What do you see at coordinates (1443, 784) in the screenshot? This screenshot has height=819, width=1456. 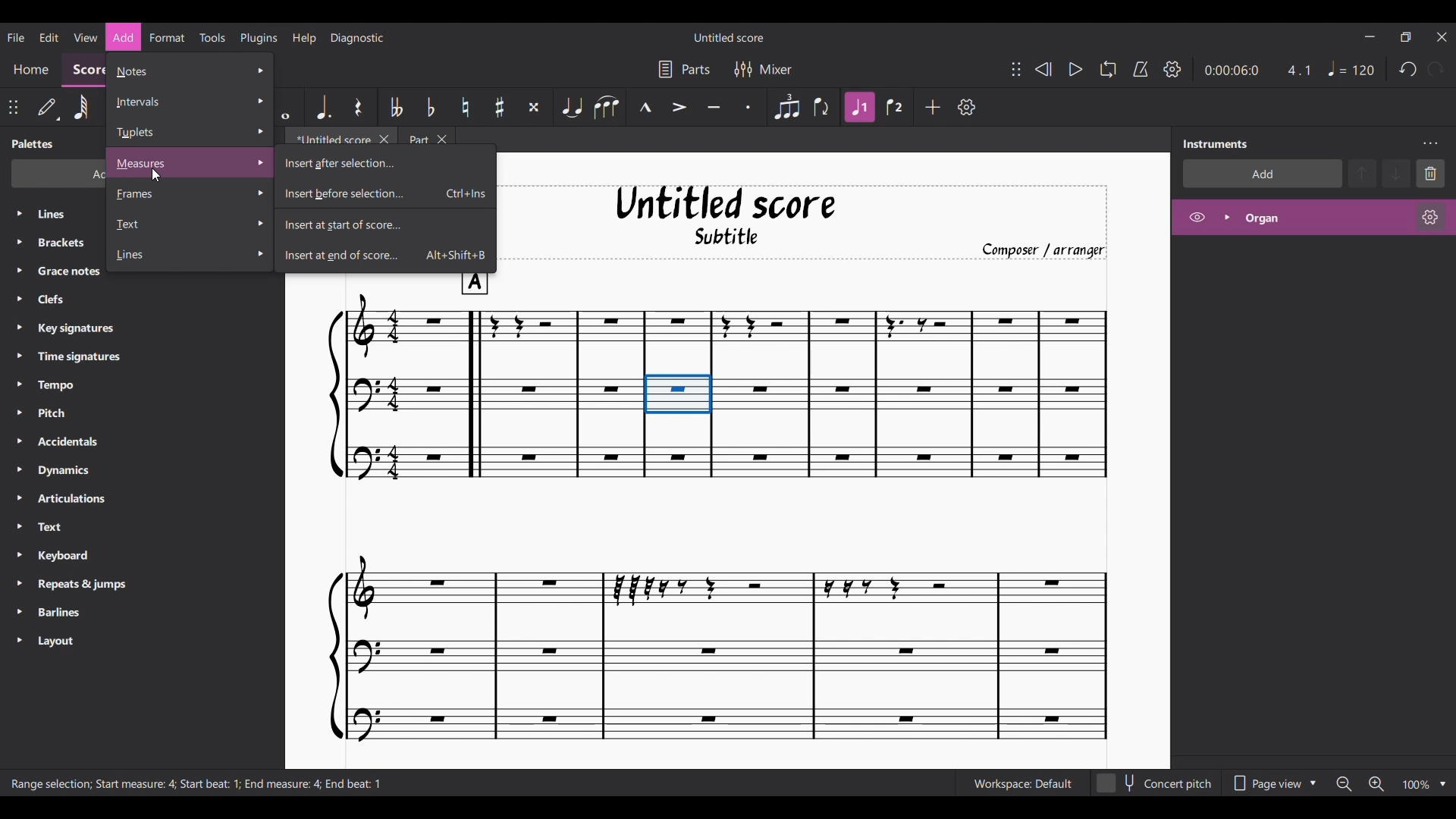 I see `Zoom options` at bounding box center [1443, 784].